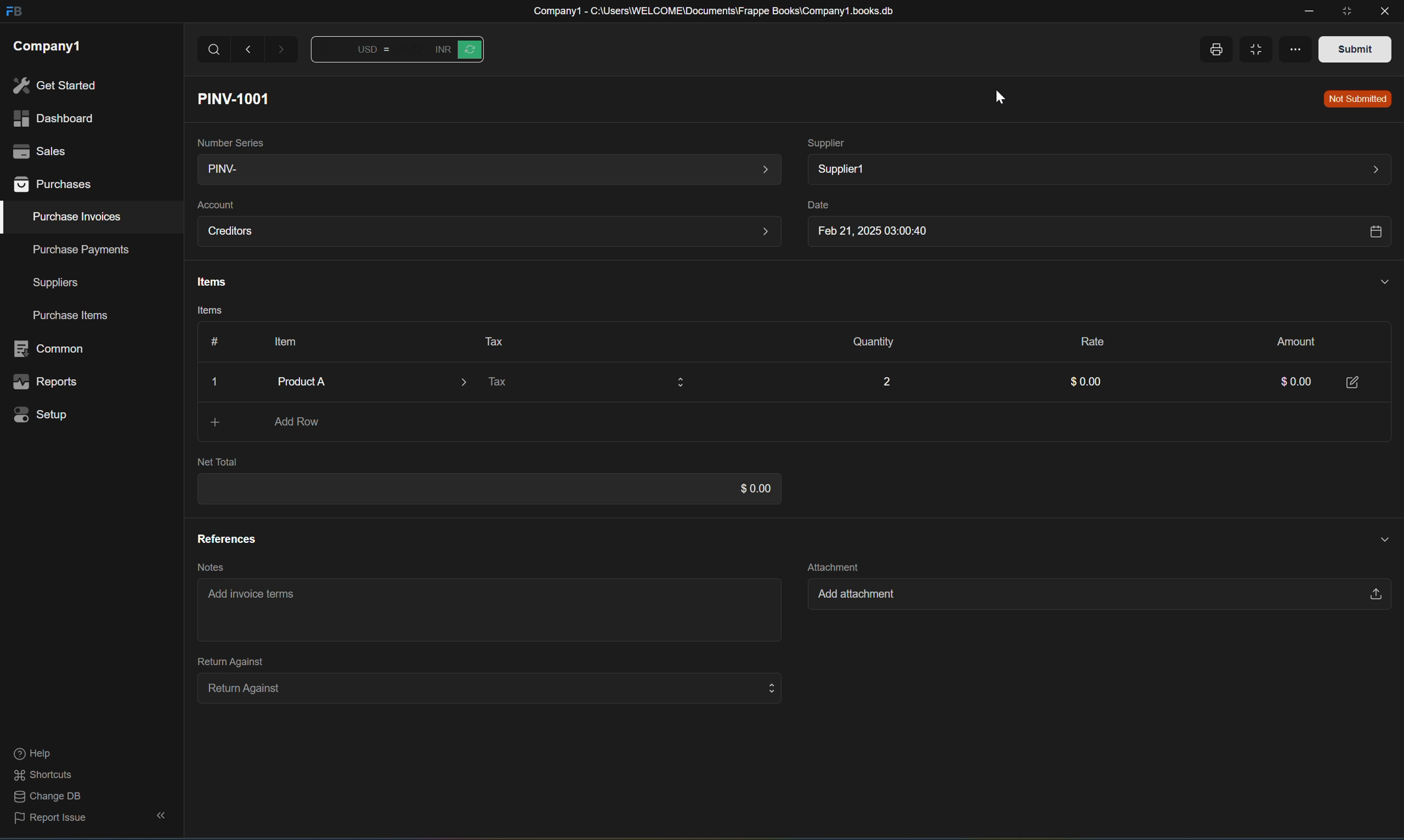 Image resolution: width=1404 pixels, height=840 pixels. Describe the element at coordinates (210, 341) in the screenshot. I see `` at that location.